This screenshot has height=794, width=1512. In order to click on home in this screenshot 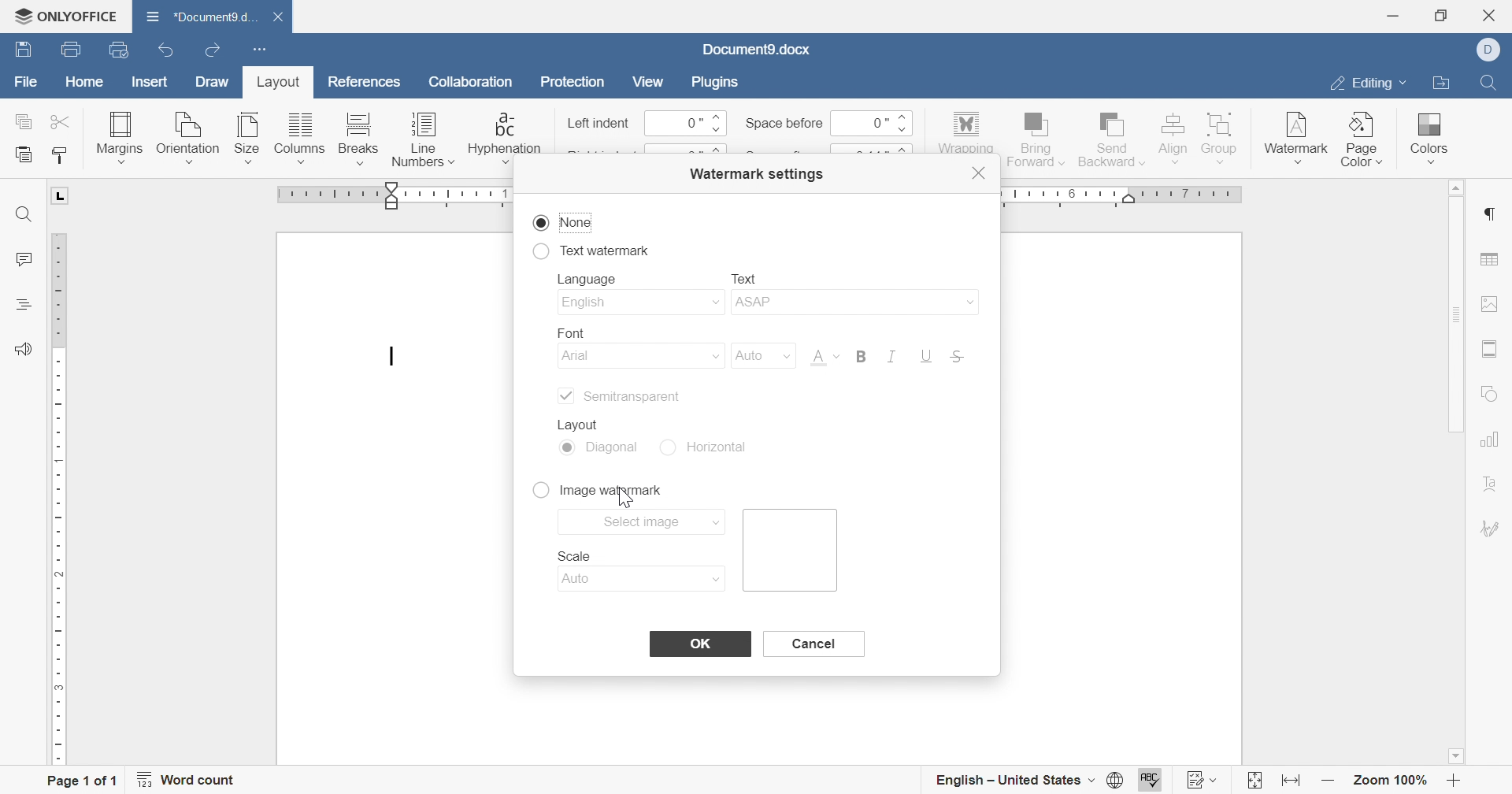, I will do `click(85, 84)`.